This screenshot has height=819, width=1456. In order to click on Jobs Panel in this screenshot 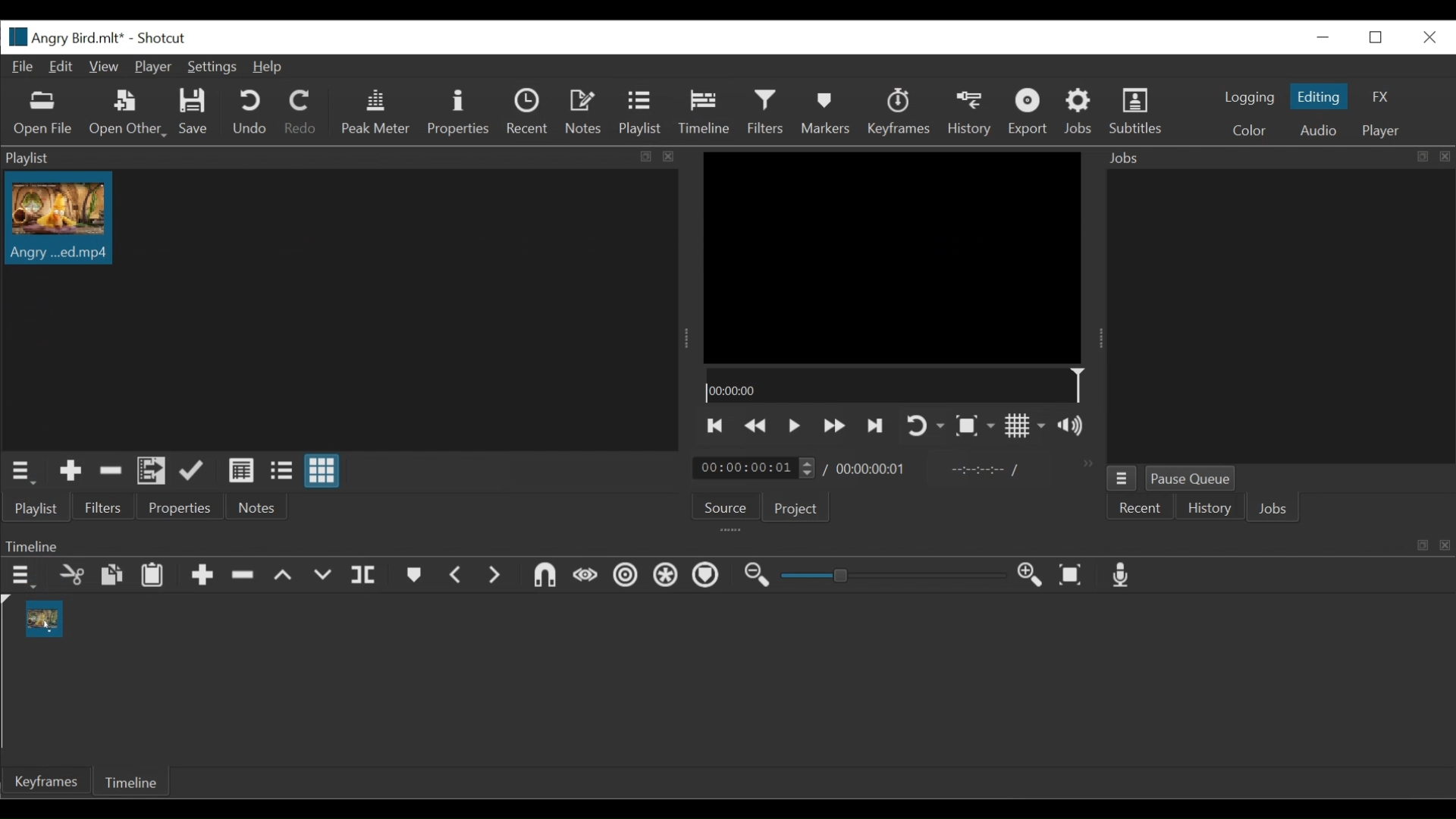, I will do `click(1276, 313)`.